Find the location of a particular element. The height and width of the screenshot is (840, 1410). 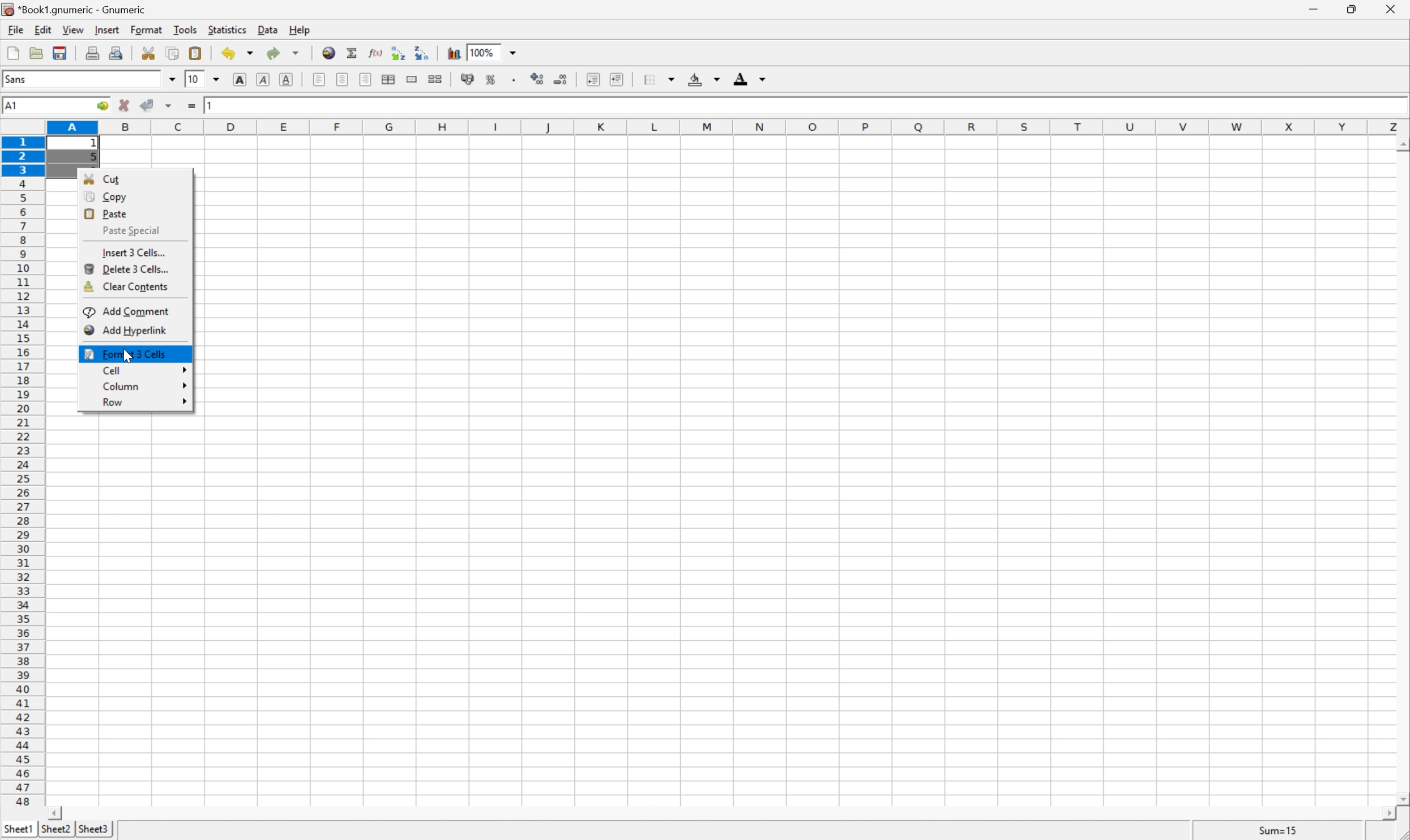

increase indent is located at coordinates (618, 79).